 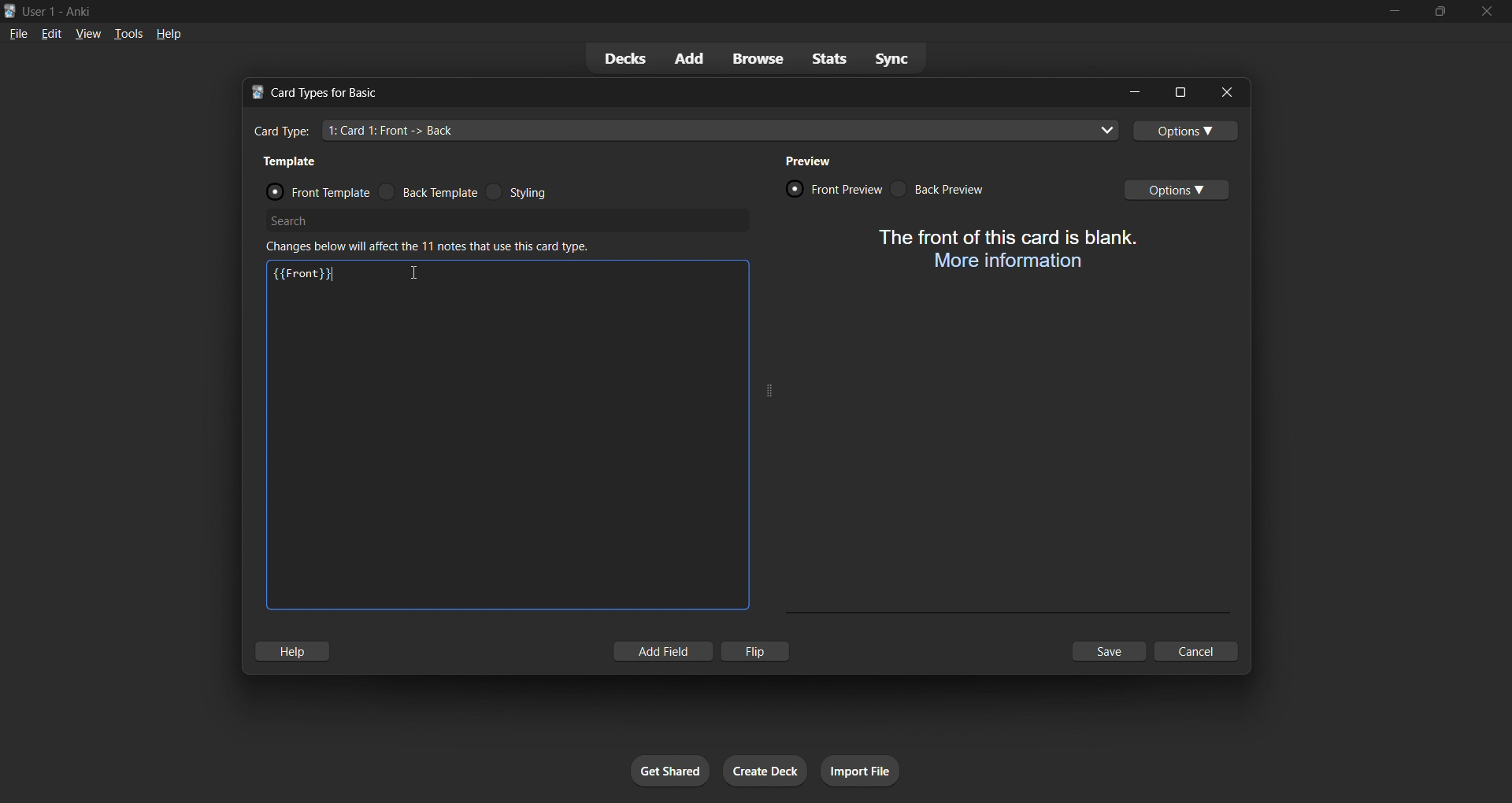 I want to click on front preview, so click(x=832, y=187).